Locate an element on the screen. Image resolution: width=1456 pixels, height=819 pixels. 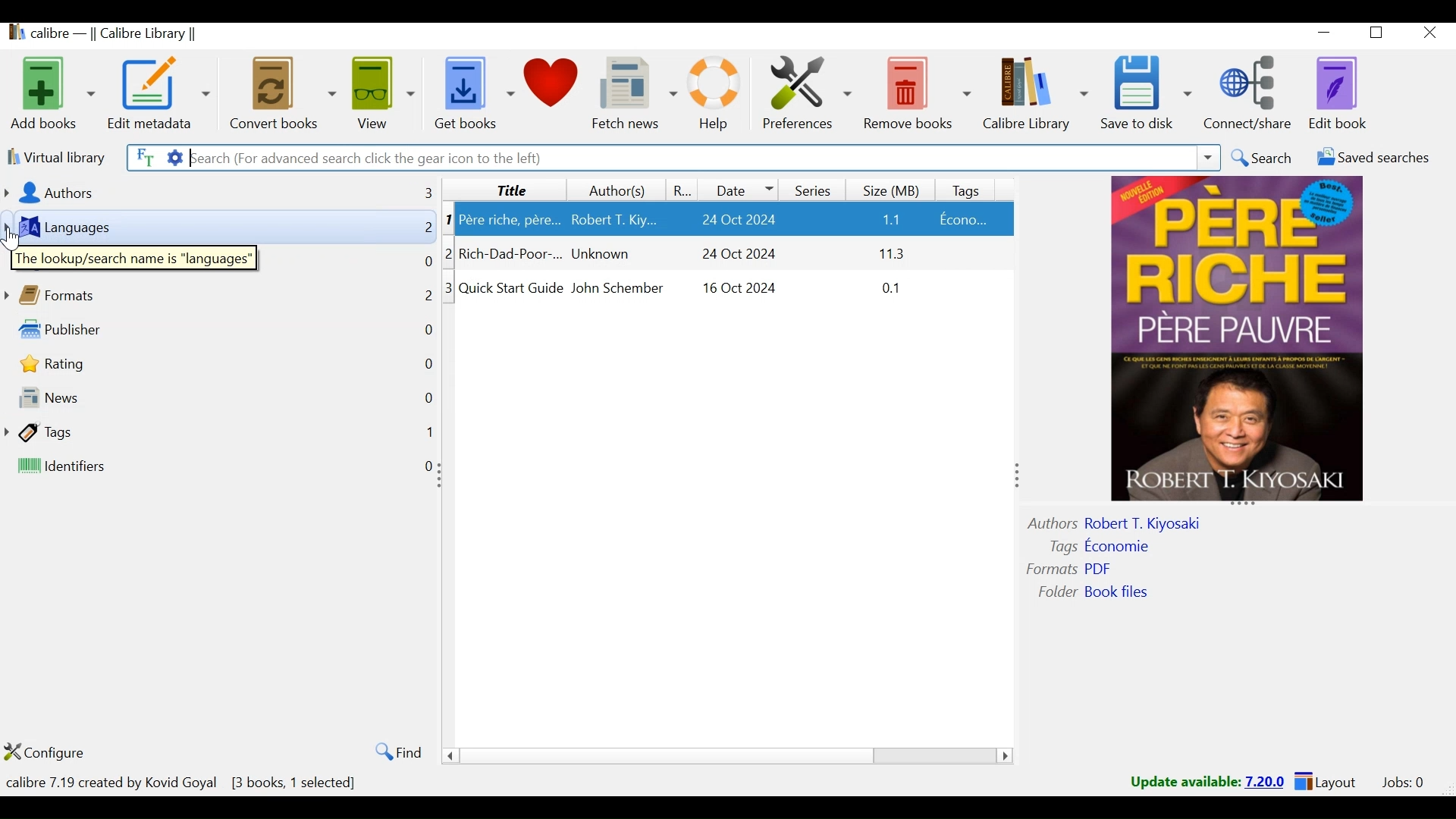
Search by texts in all books in the libary is located at coordinates (142, 156).